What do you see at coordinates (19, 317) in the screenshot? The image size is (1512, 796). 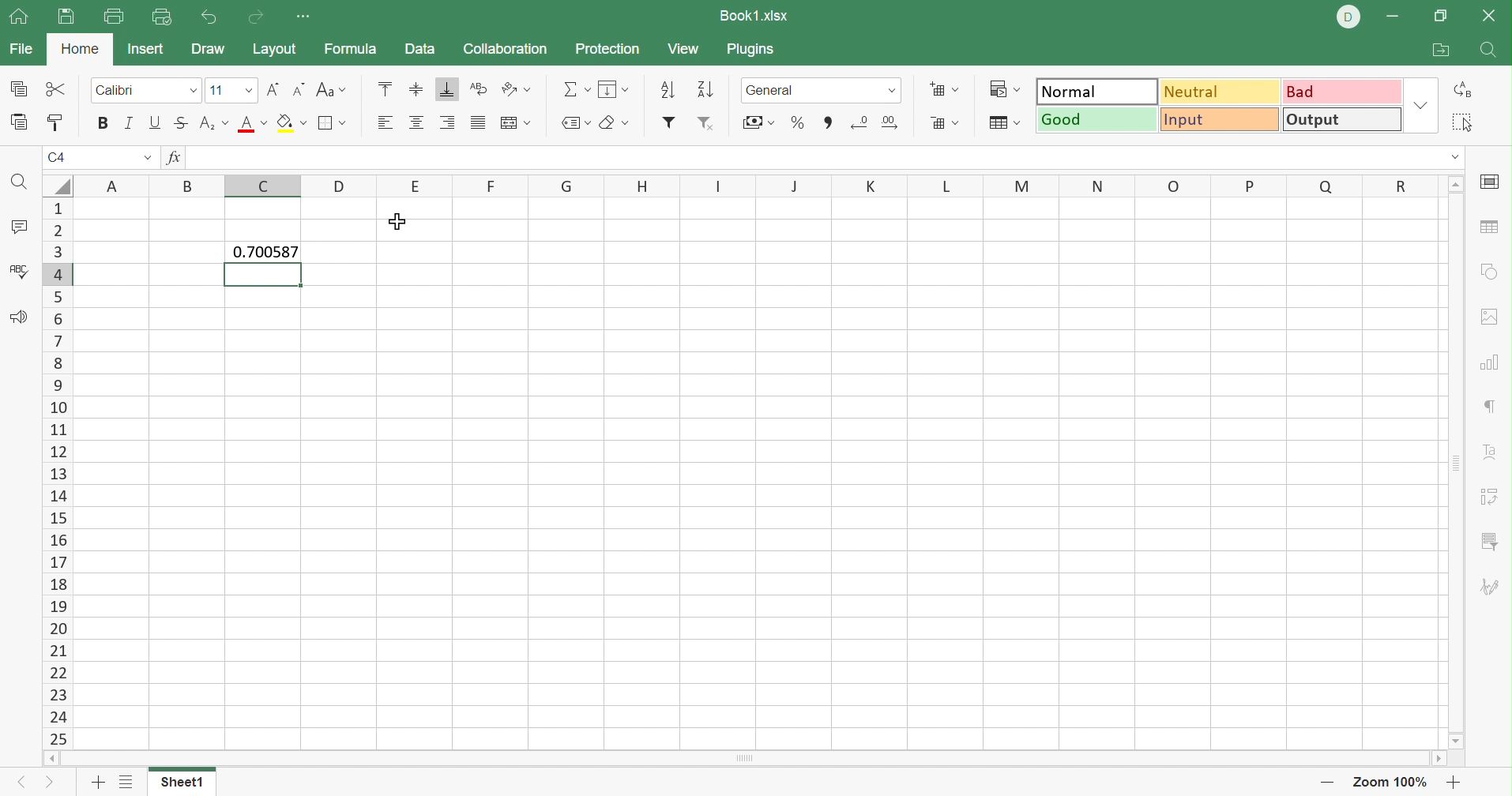 I see `Feedback & comments` at bounding box center [19, 317].